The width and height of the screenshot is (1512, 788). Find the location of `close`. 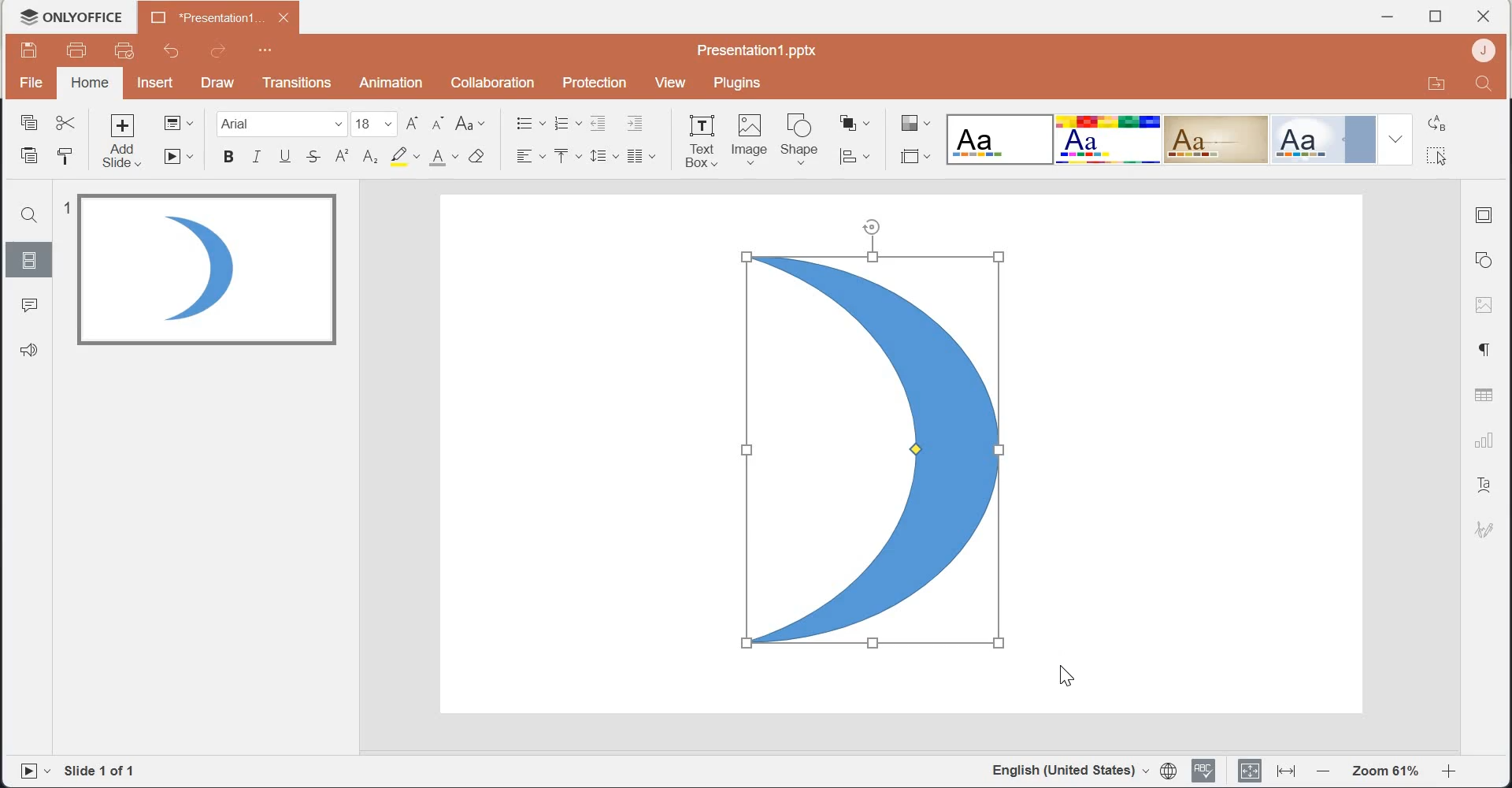

close is located at coordinates (1483, 16).